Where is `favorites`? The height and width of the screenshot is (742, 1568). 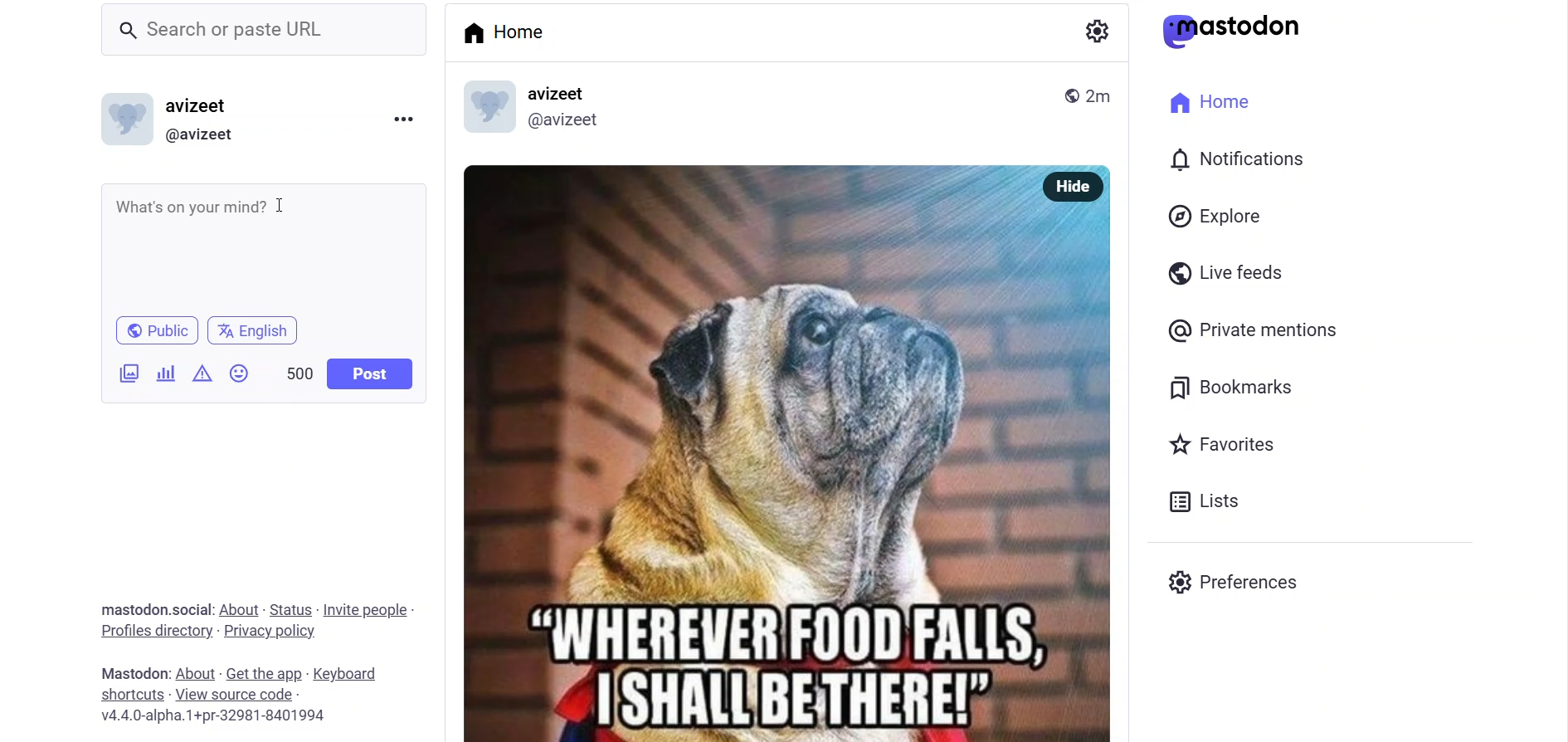 favorites is located at coordinates (1231, 442).